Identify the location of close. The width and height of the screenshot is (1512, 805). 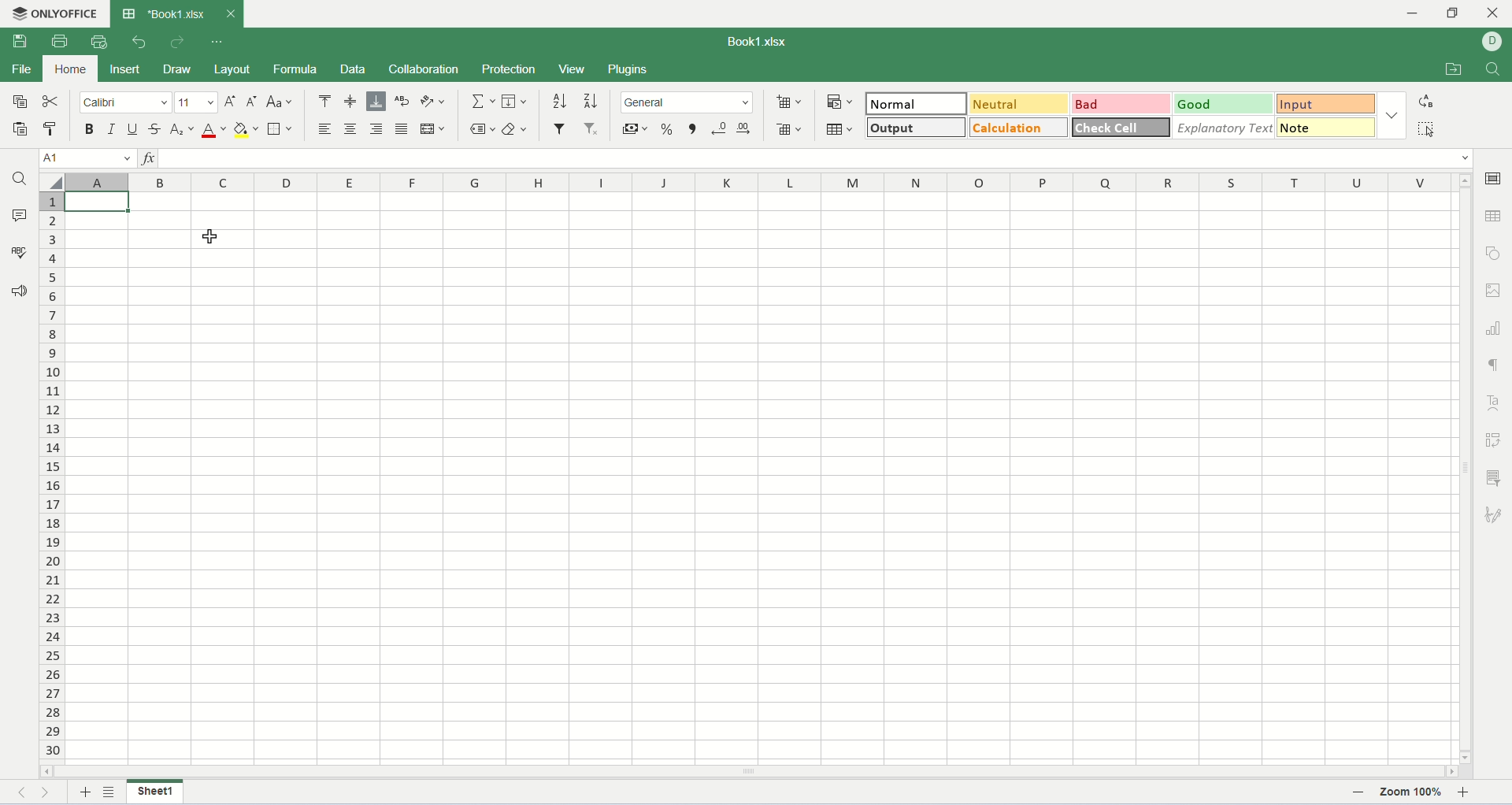
(1495, 12).